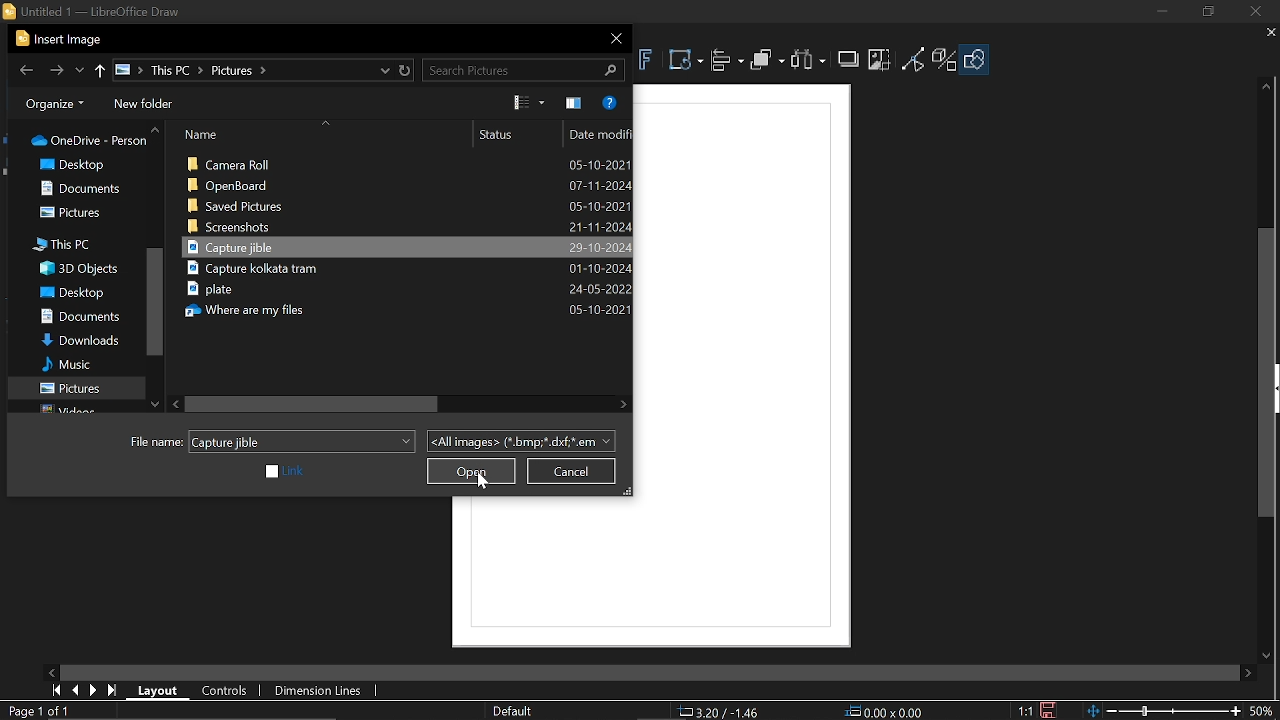  Describe the element at coordinates (176, 403) in the screenshot. I see `Move left` at that location.